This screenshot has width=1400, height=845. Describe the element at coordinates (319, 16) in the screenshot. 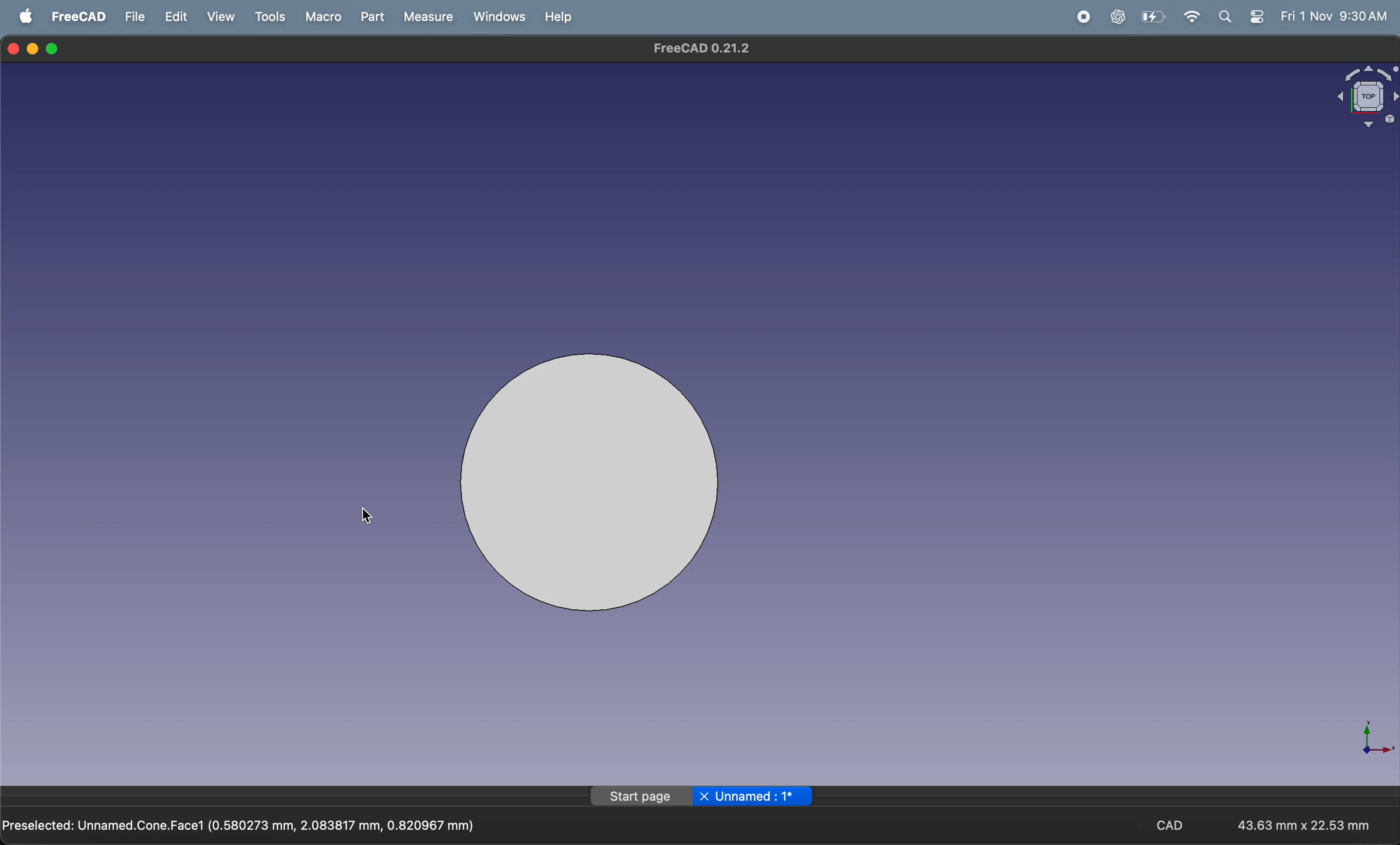

I see `marco` at that location.